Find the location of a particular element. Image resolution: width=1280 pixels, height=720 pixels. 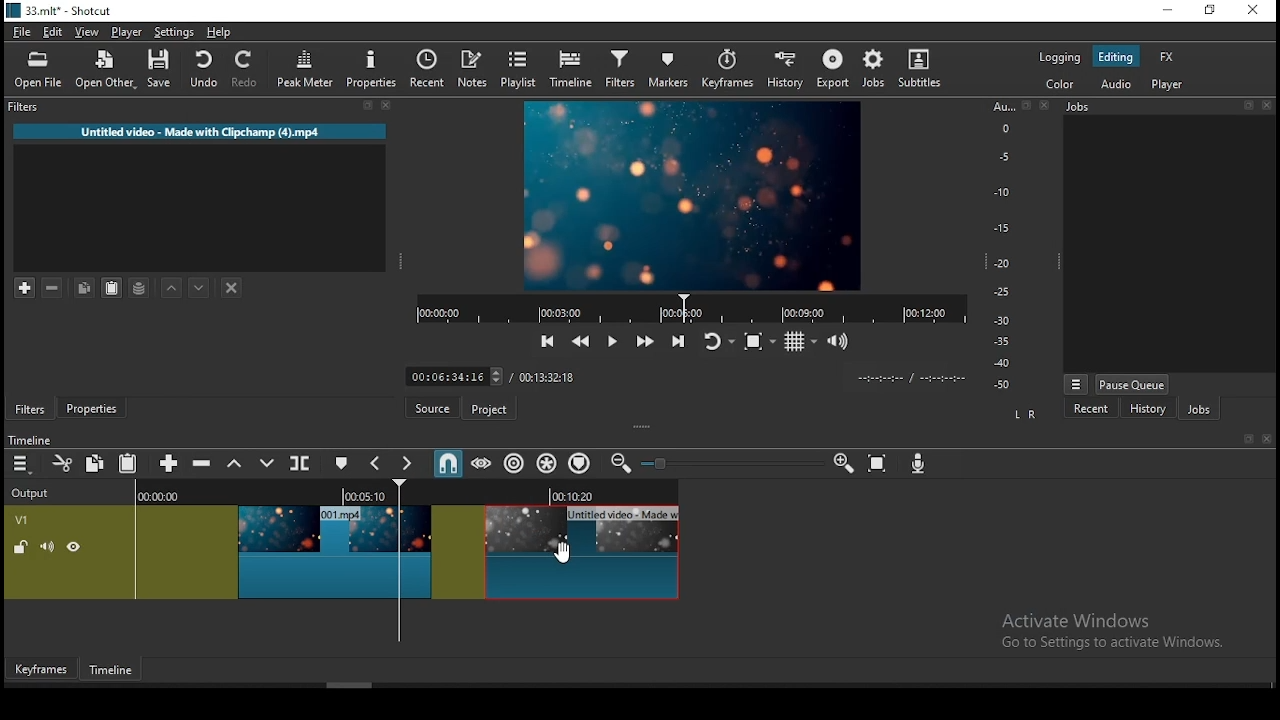

recent is located at coordinates (1091, 408).